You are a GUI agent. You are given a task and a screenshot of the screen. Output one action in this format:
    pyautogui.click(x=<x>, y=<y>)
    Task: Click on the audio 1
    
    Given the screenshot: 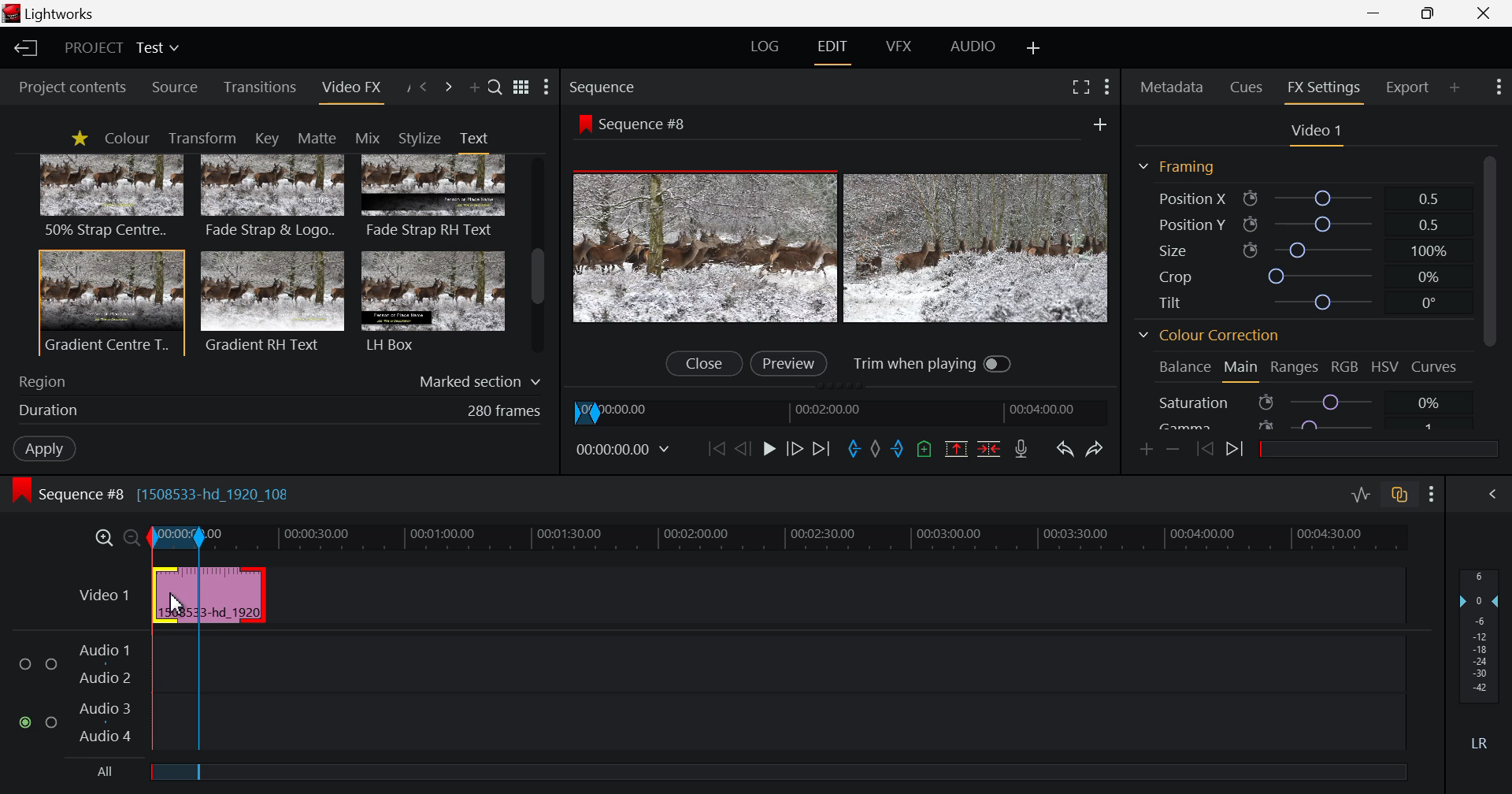 What is the action you would take?
    pyautogui.click(x=104, y=648)
    